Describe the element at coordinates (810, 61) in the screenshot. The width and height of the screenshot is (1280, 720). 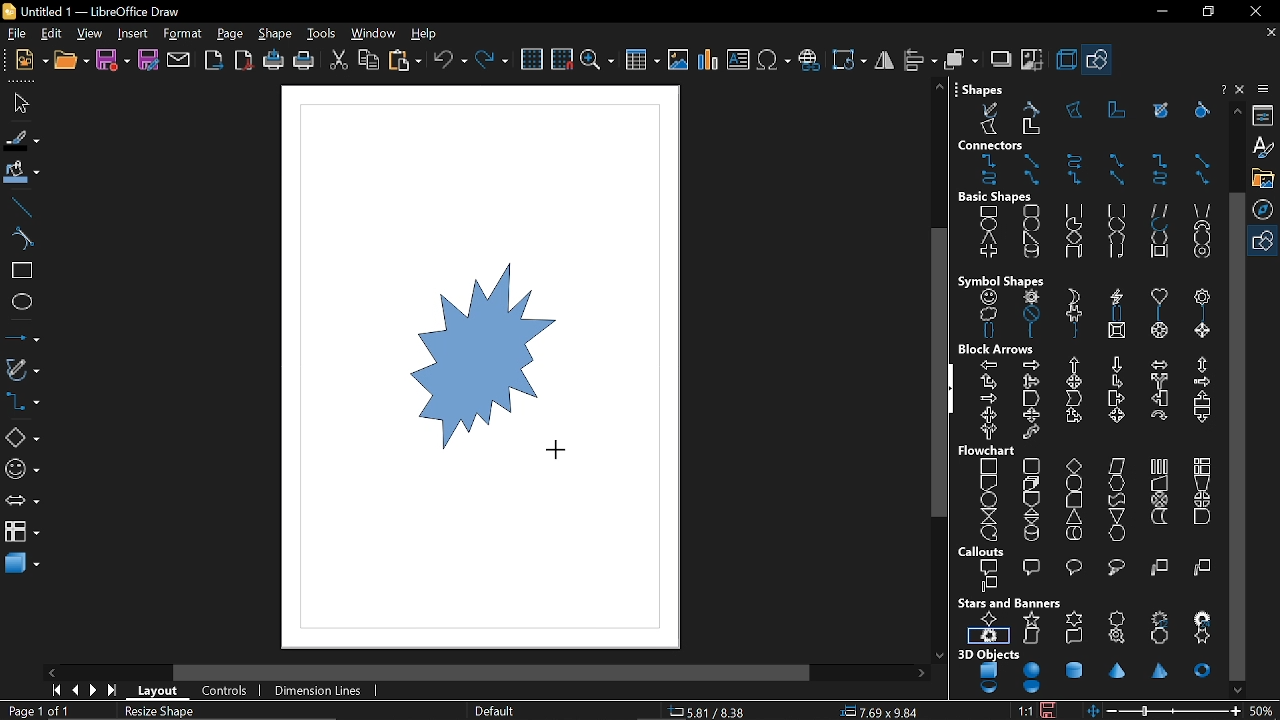
I see `Insert hyperlink` at that location.